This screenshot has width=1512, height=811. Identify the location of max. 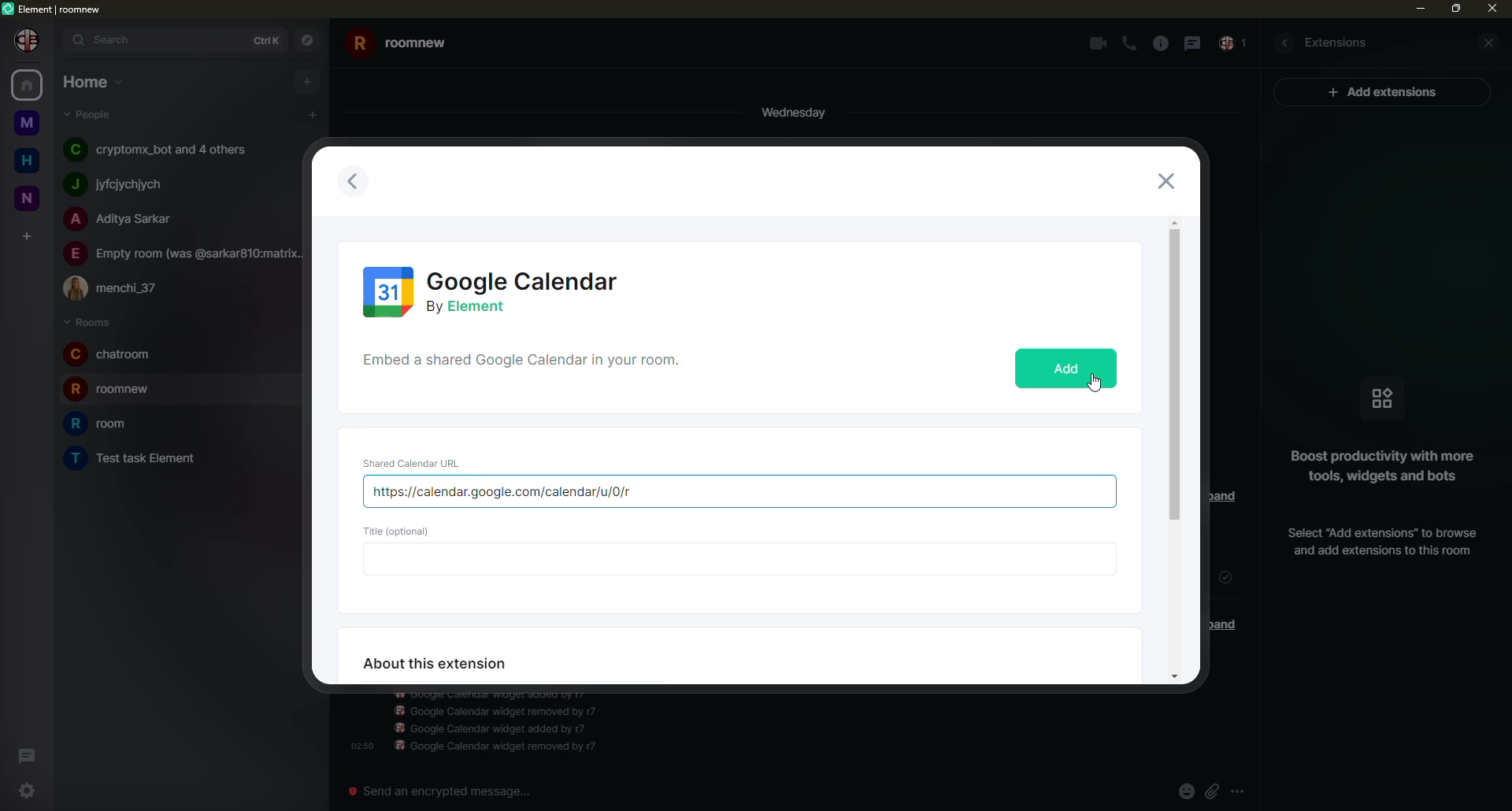
(1454, 10).